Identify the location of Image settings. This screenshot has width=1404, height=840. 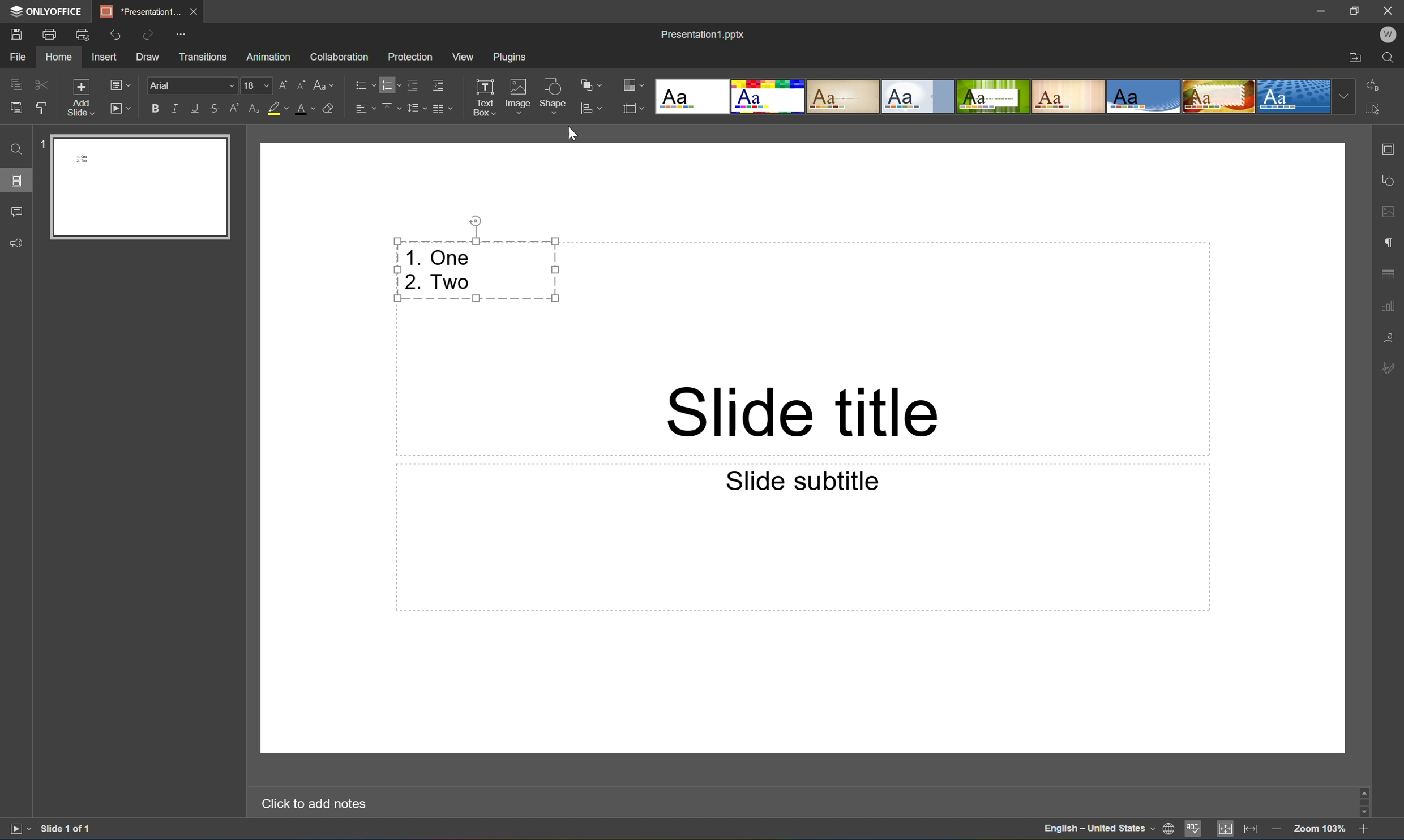
(1390, 213).